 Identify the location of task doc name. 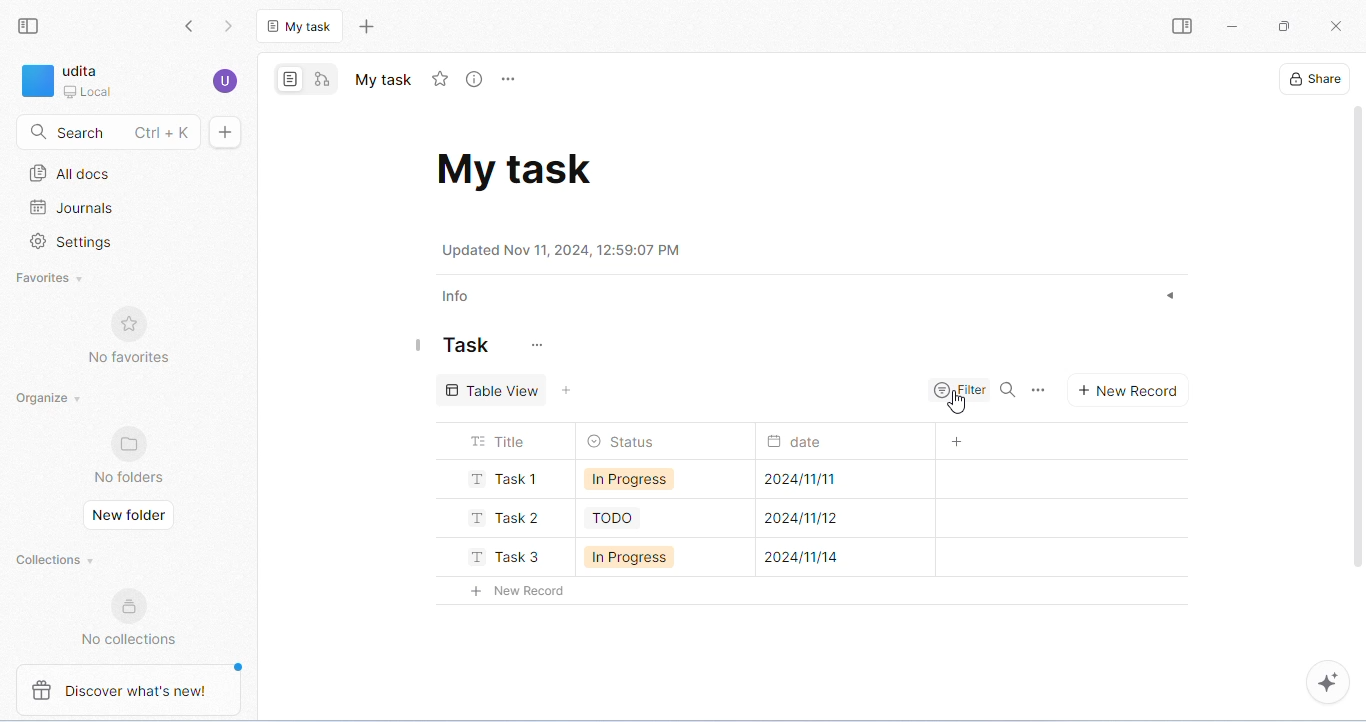
(516, 167).